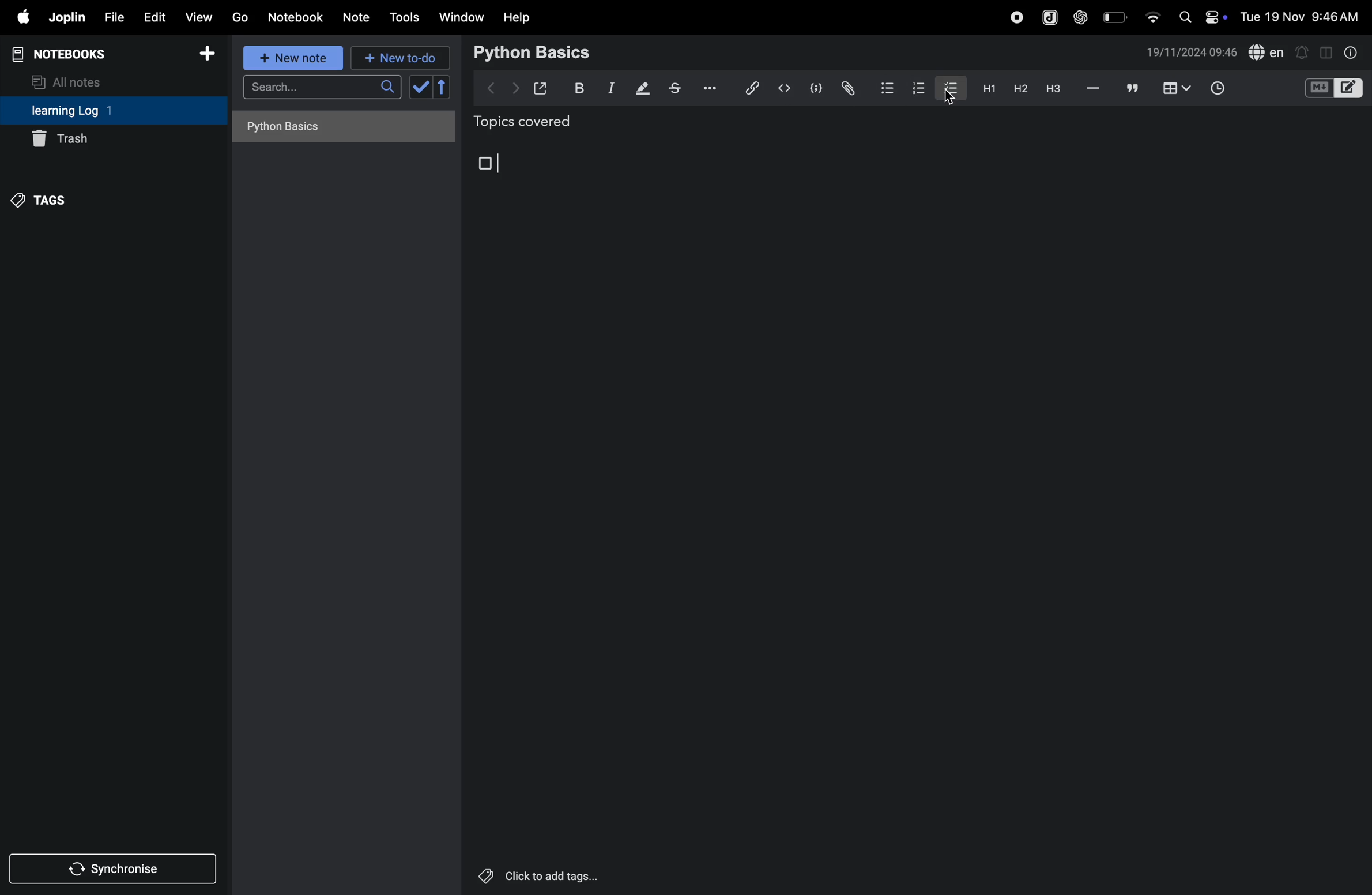 Image resolution: width=1372 pixels, height=895 pixels. Describe the element at coordinates (42, 198) in the screenshot. I see `tags` at that location.